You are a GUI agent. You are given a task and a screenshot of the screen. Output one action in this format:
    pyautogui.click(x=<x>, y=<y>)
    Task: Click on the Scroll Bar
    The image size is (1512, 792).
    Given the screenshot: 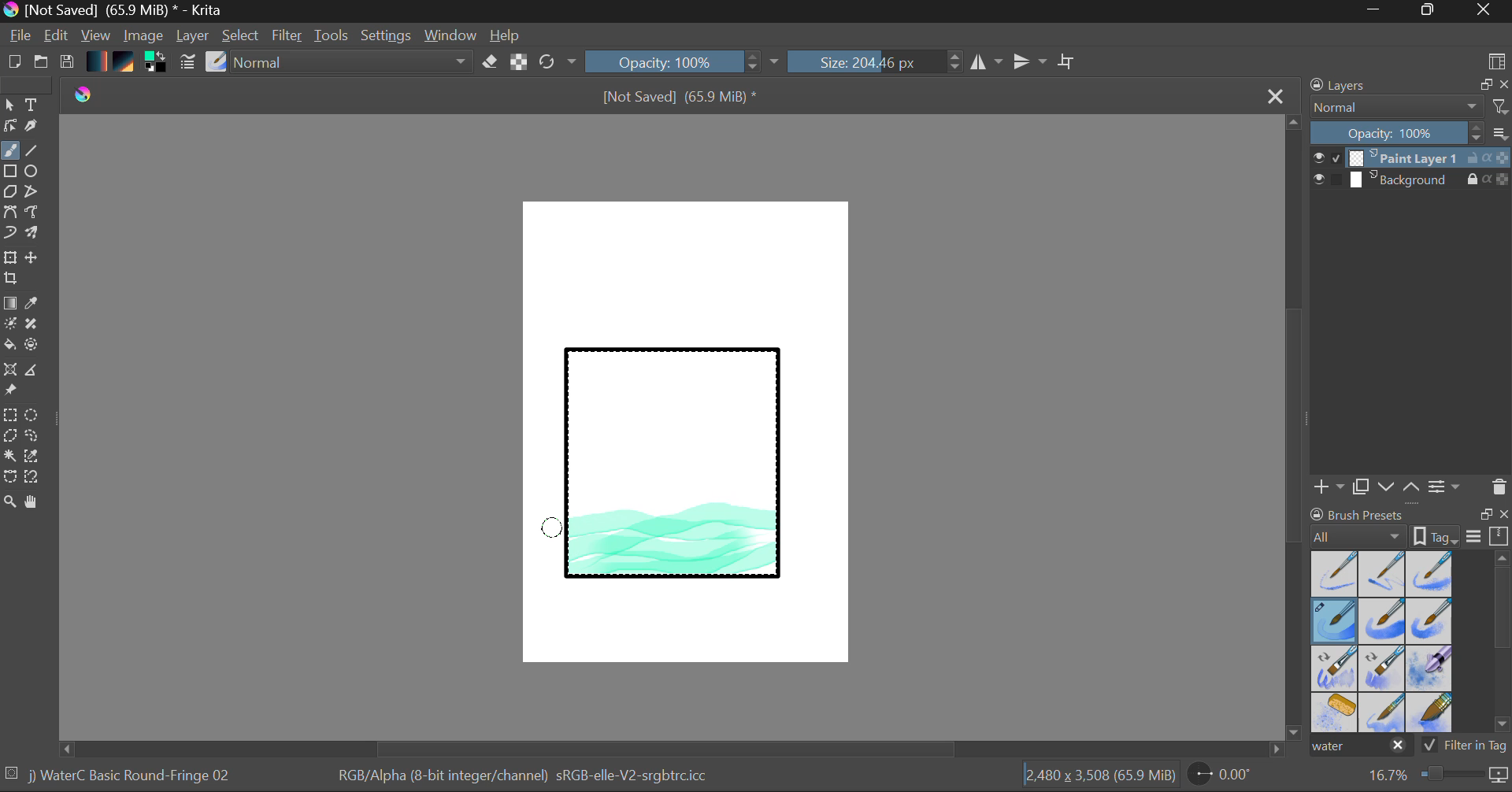 What is the action you would take?
    pyautogui.click(x=673, y=749)
    